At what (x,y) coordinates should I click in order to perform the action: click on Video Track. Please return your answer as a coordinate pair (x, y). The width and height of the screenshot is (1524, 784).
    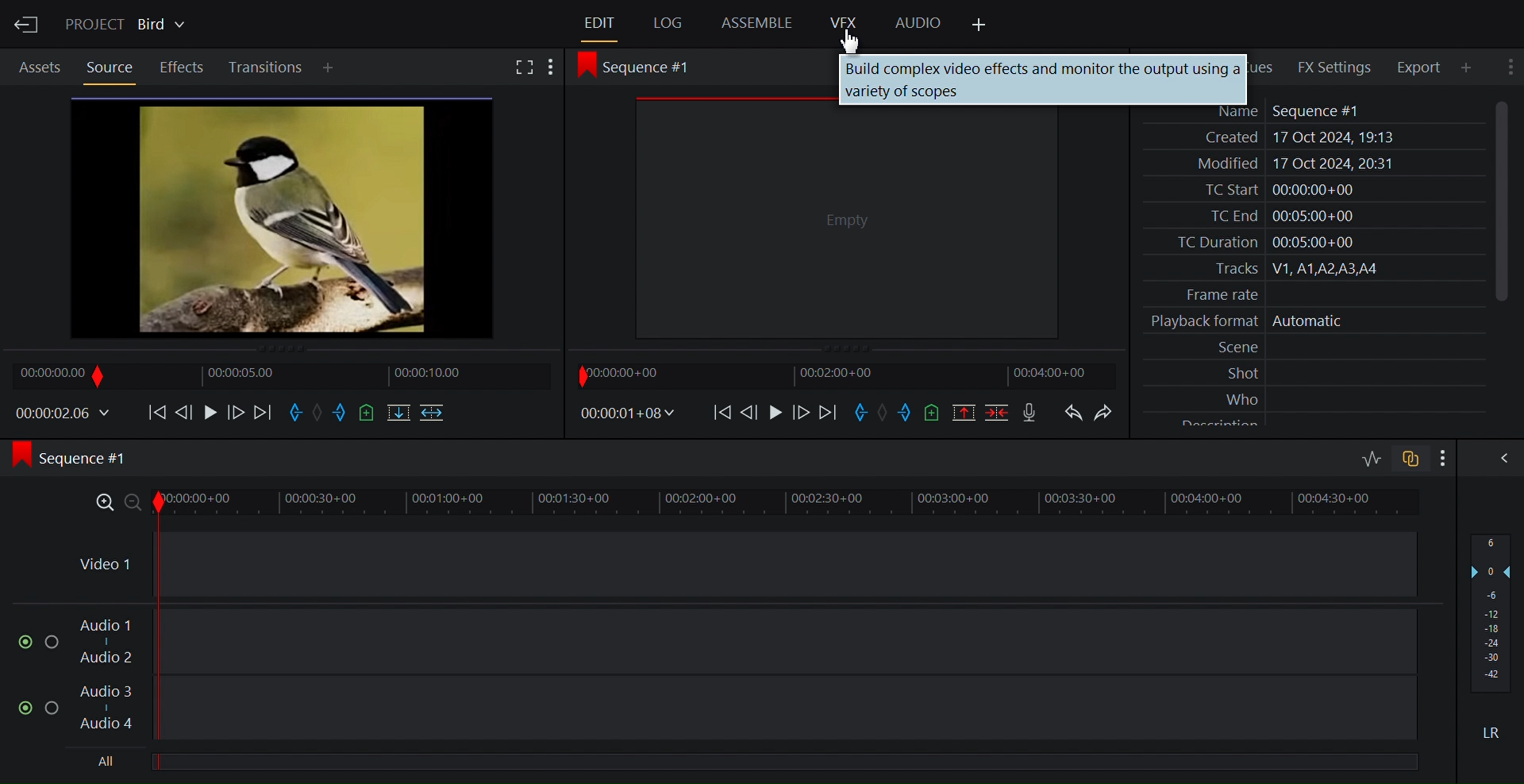
    Looking at the image, I should click on (740, 567).